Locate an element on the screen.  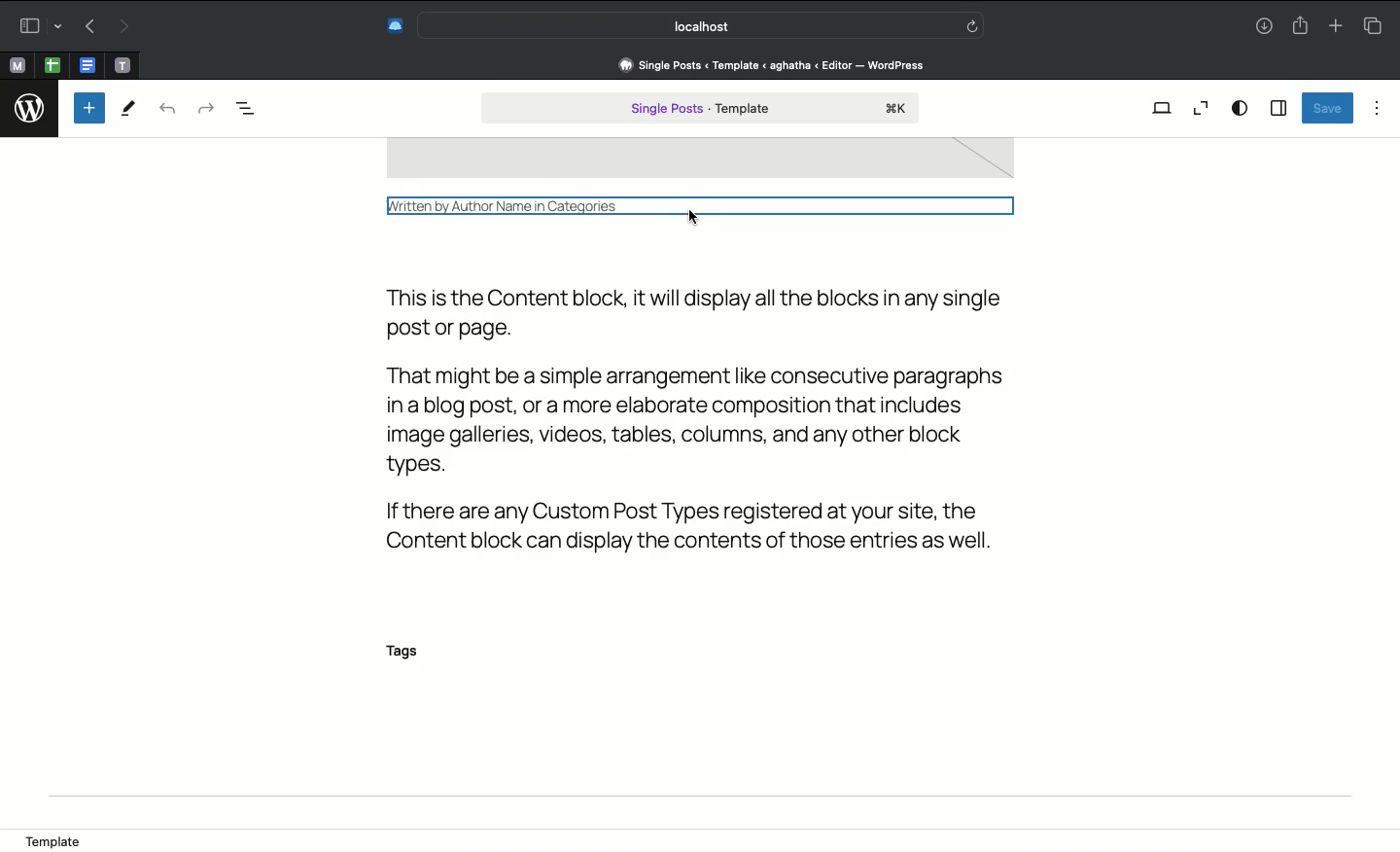
Zoom out is located at coordinates (1201, 108).